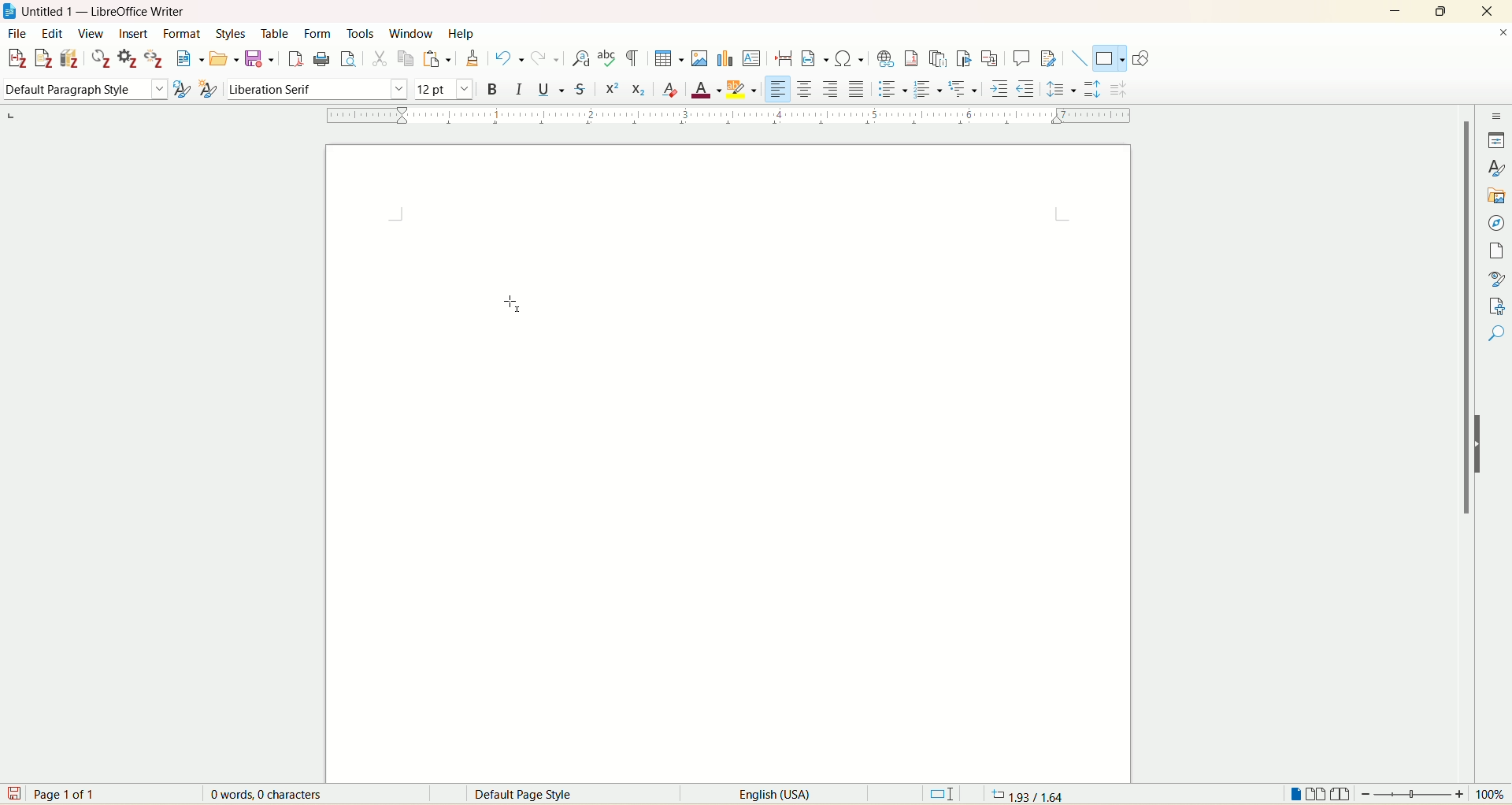 The image size is (1512, 805). What do you see at coordinates (1496, 224) in the screenshot?
I see `navigator` at bounding box center [1496, 224].